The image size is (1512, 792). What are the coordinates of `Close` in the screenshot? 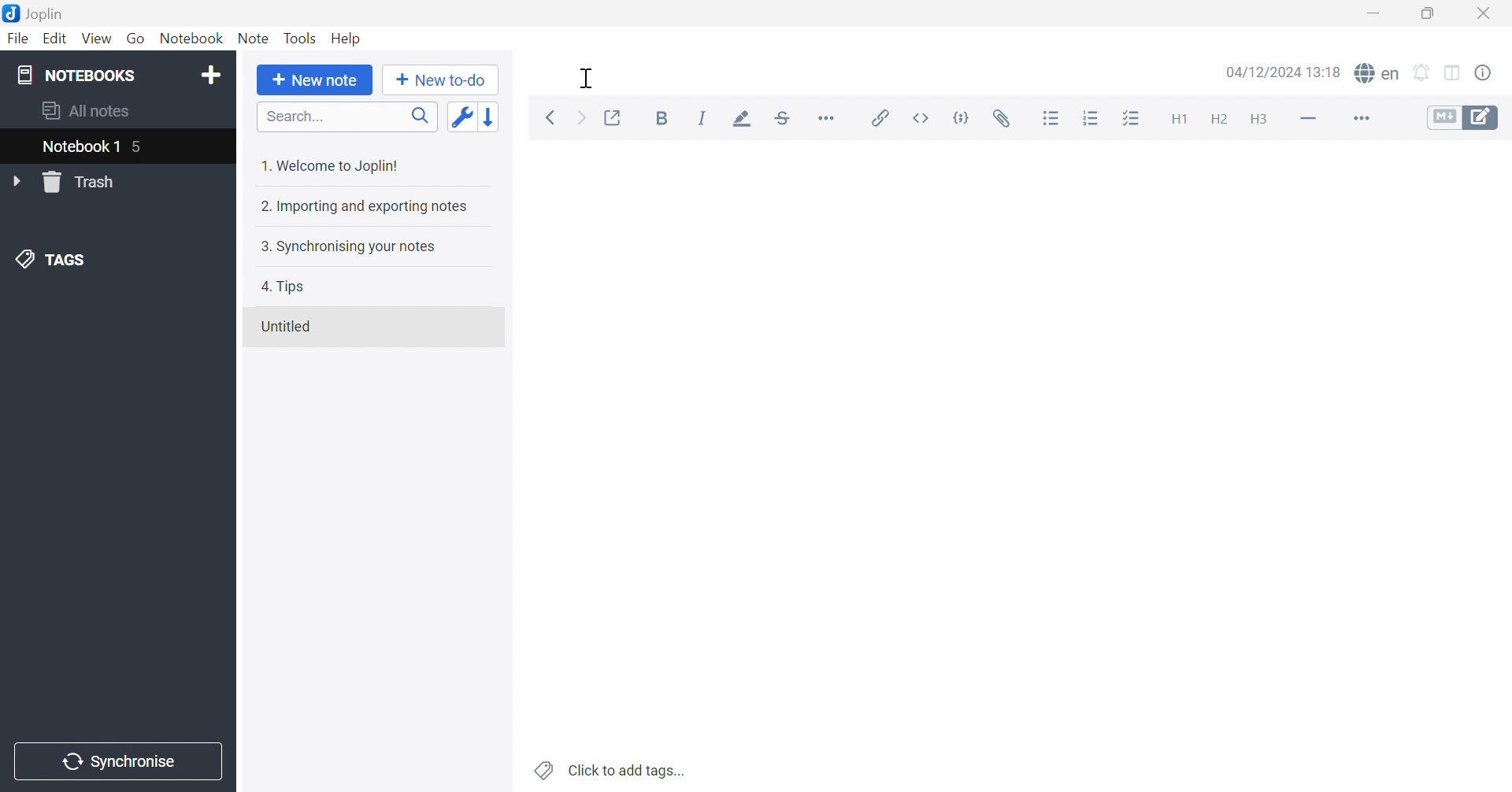 It's located at (1484, 13).